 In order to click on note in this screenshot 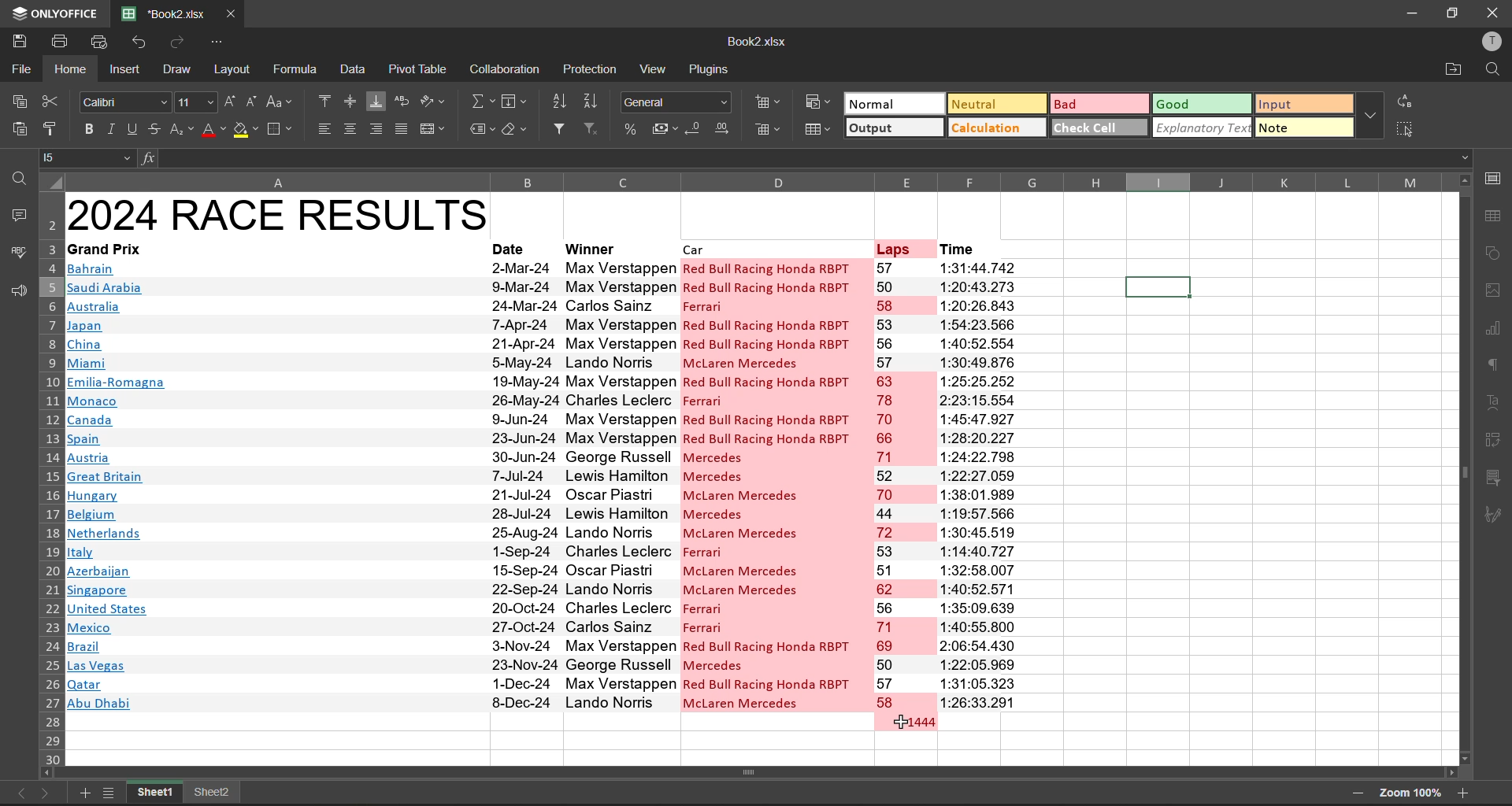, I will do `click(1299, 128)`.